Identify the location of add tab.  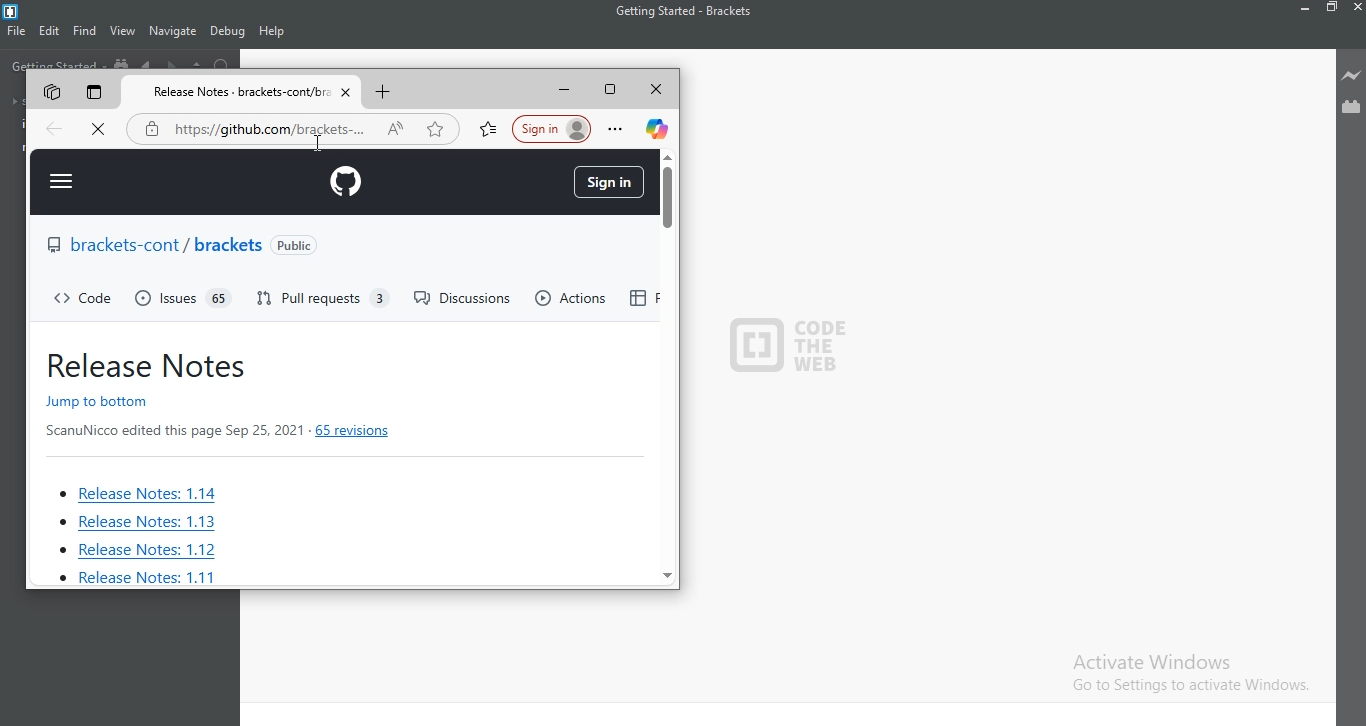
(385, 92).